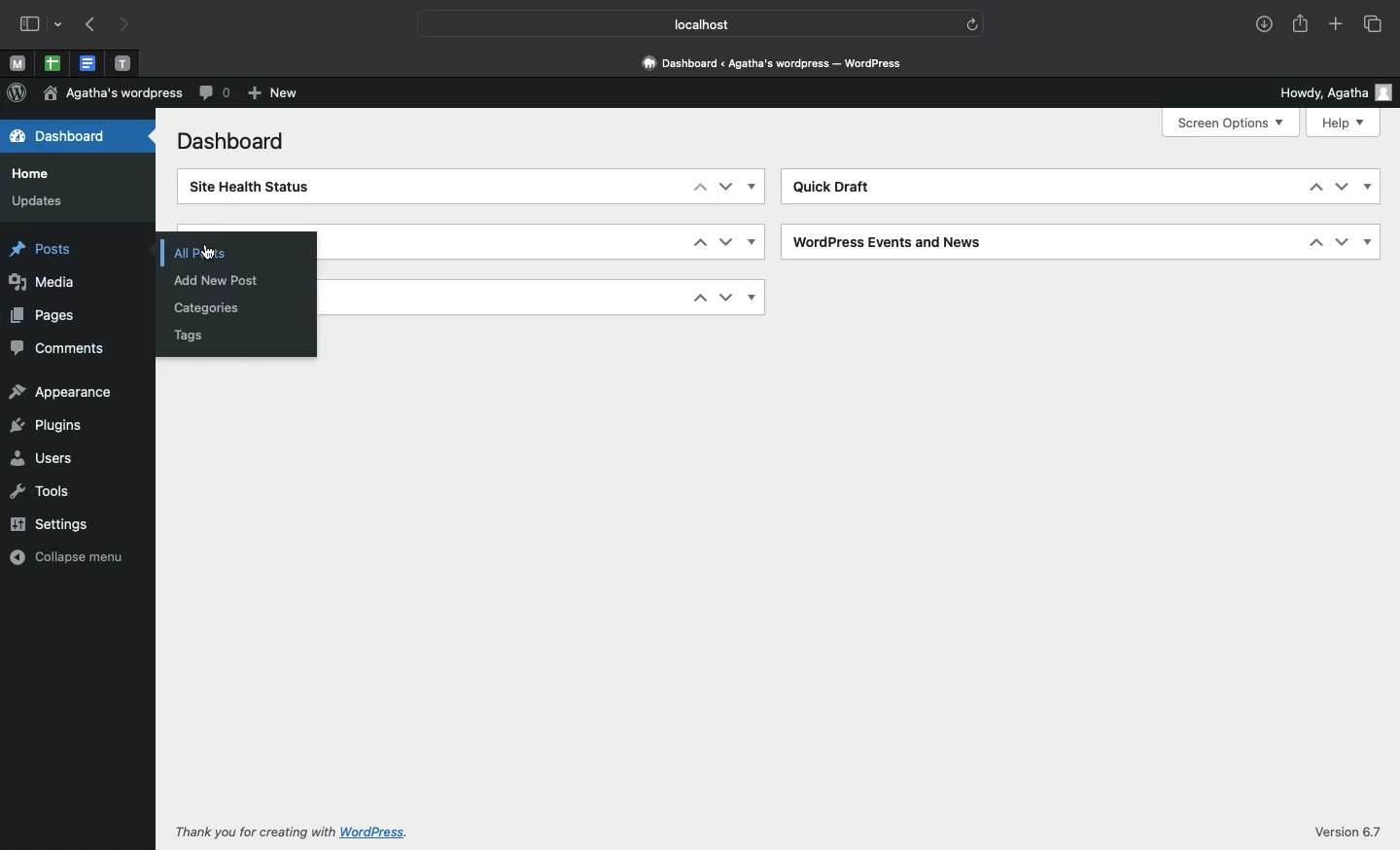  What do you see at coordinates (728, 299) in the screenshot?
I see `Down` at bounding box center [728, 299].